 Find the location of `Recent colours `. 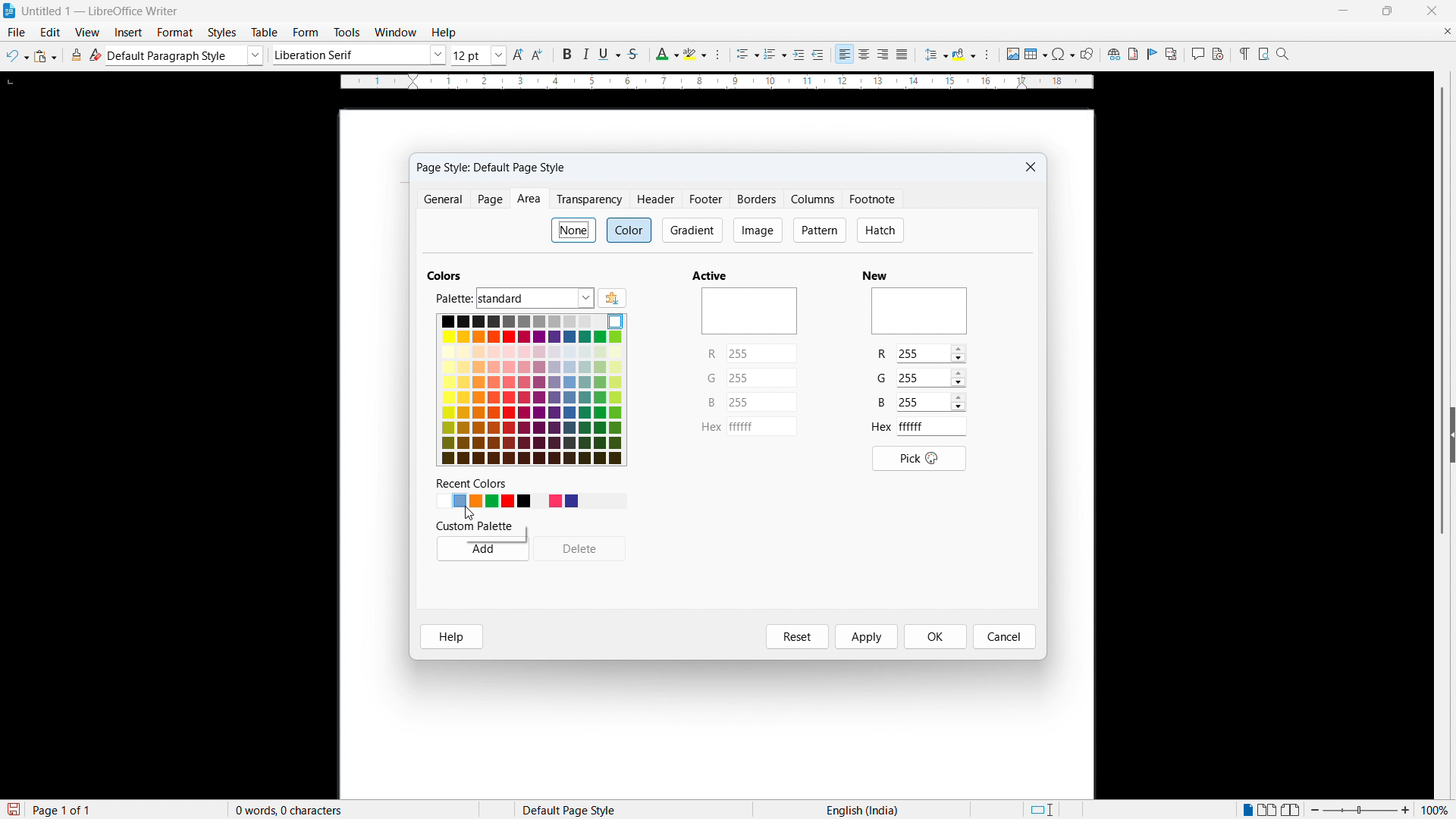

Recent colours  is located at coordinates (530, 500).